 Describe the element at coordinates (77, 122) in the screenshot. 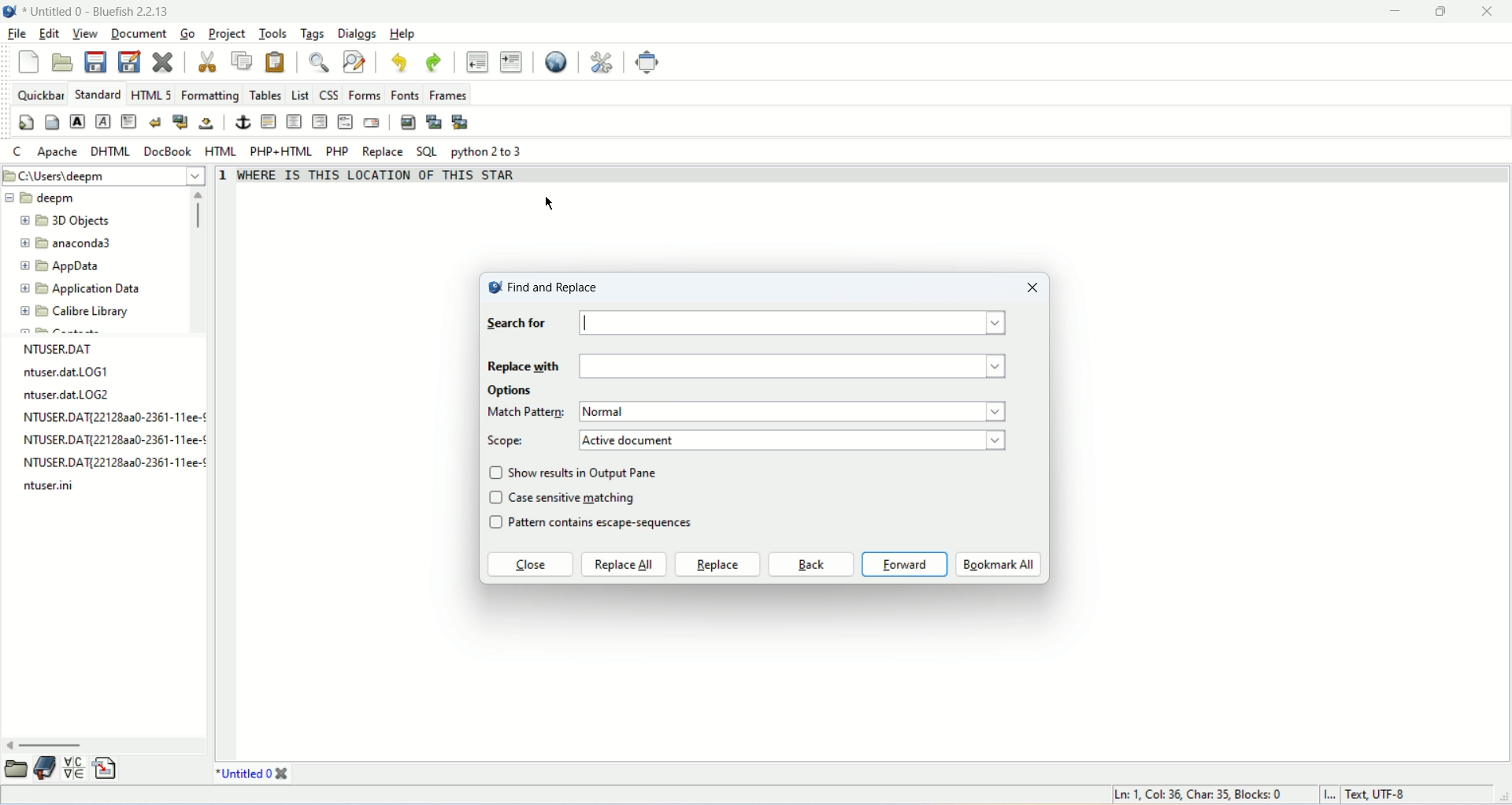

I see `strong` at that location.